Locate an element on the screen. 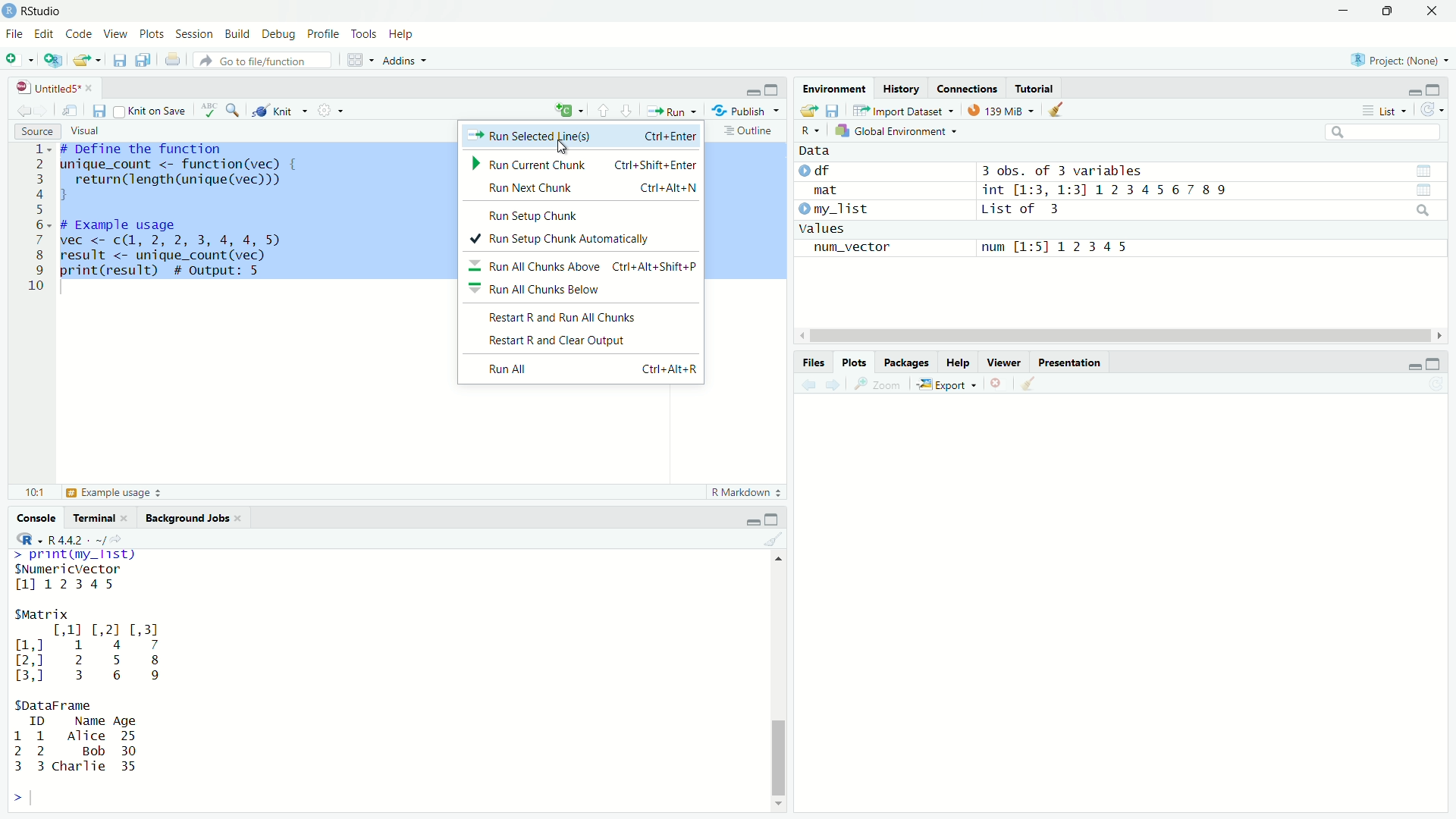 This screenshot has height=819, width=1456. Visual is located at coordinates (87, 130).